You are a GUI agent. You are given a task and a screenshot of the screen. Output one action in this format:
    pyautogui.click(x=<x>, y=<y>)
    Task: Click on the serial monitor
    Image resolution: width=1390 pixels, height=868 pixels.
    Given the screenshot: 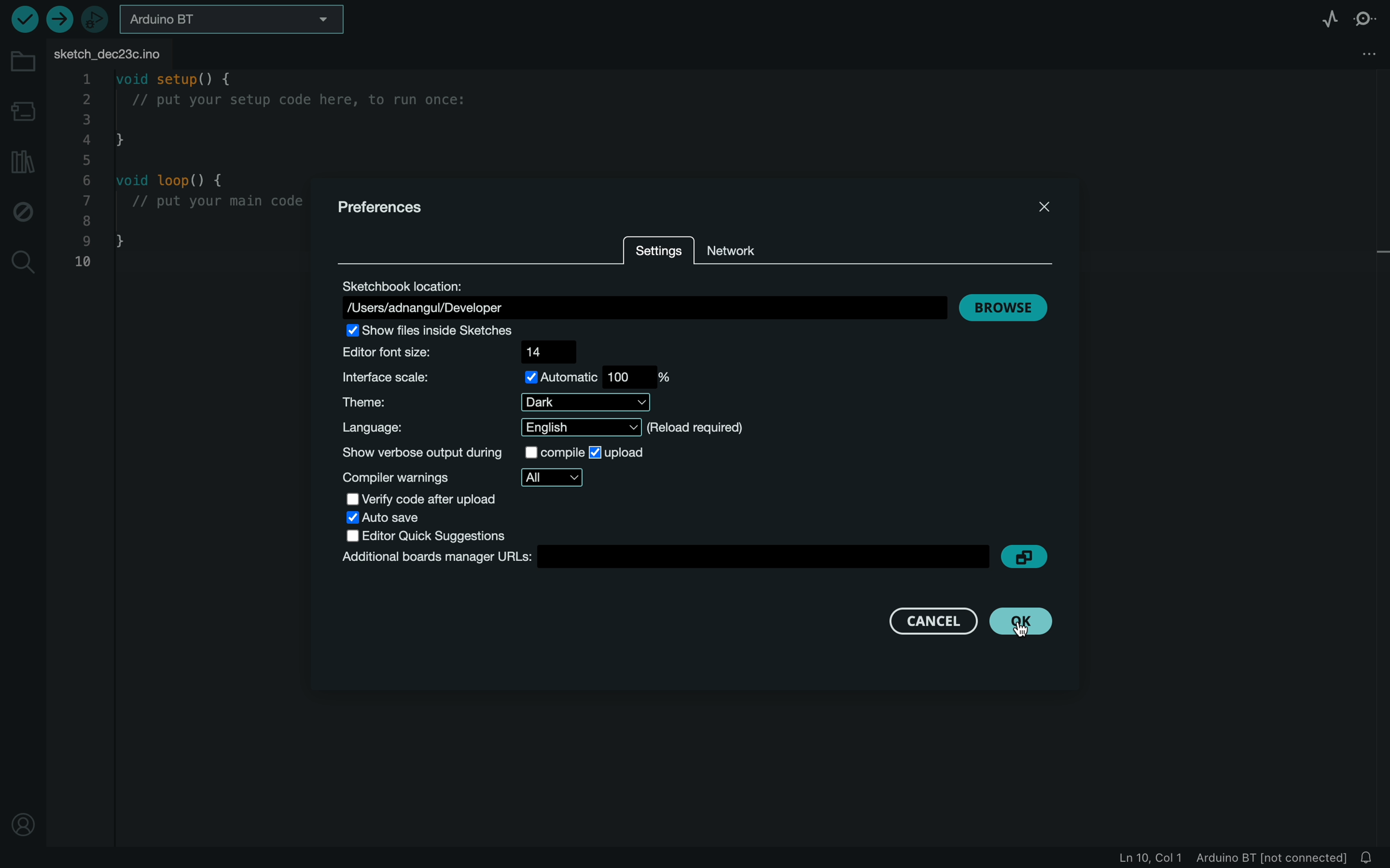 What is the action you would take?
    pyautogui.click(x=1368, y=17)
    